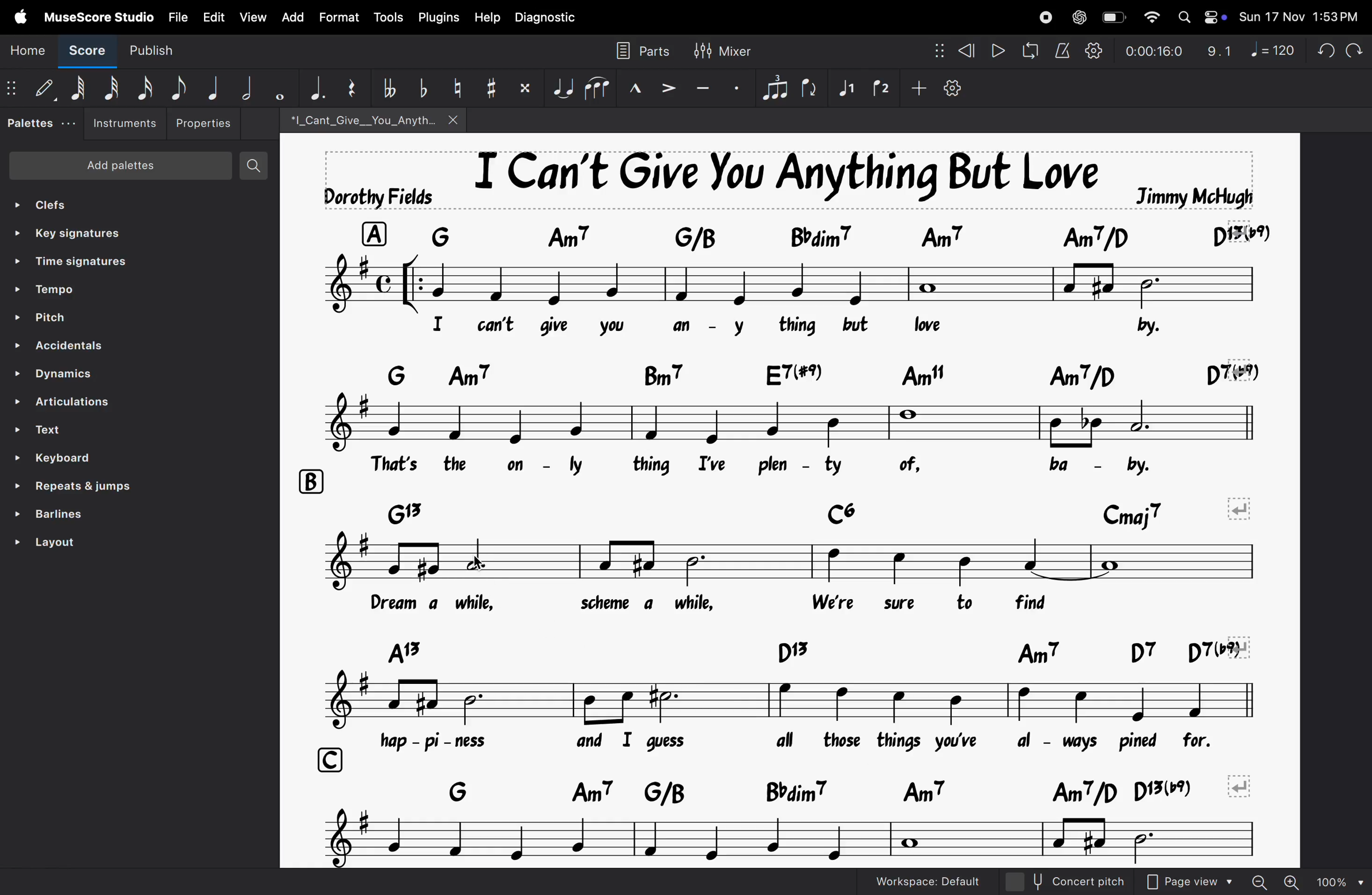 This screenshot has width=1372, height=895. What do you see at coordinates (847, 87) in the screenshot?
I see `voice 2` at bounding box center [847, 87].